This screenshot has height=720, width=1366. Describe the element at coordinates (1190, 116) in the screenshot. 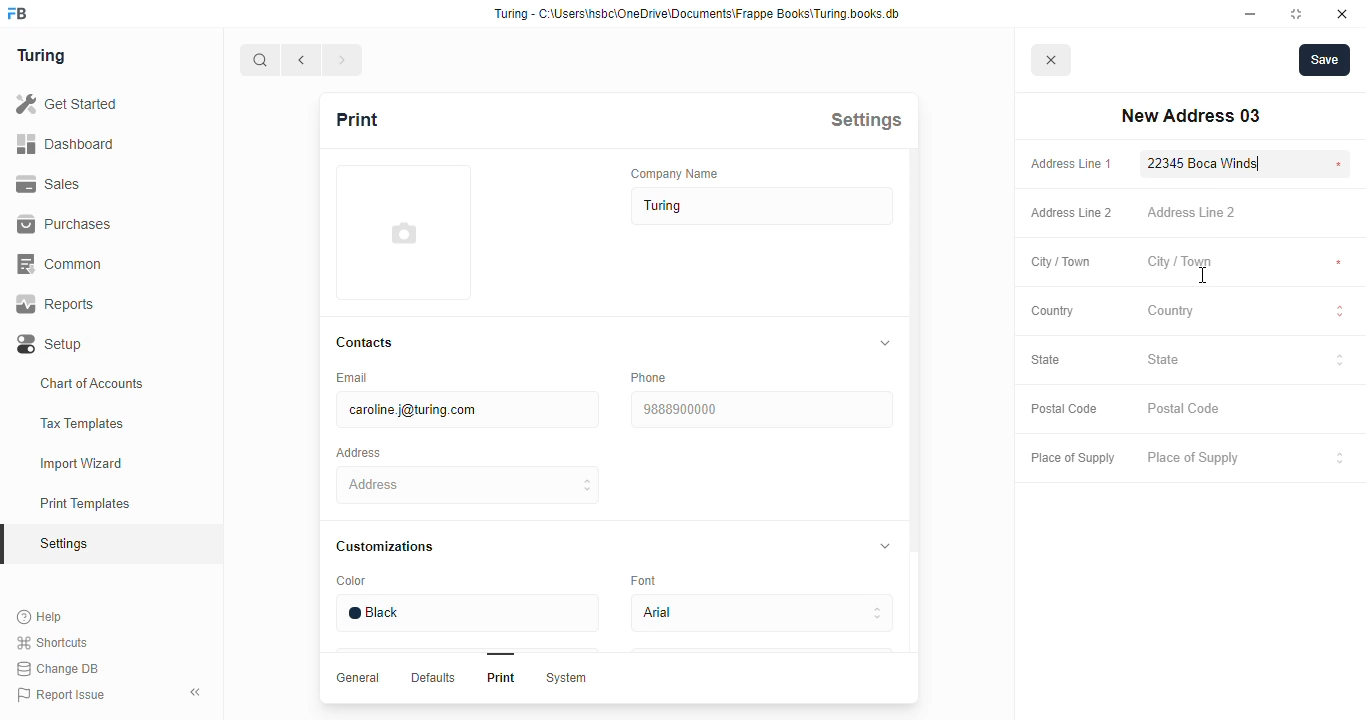

I see `new address 03` at that location.